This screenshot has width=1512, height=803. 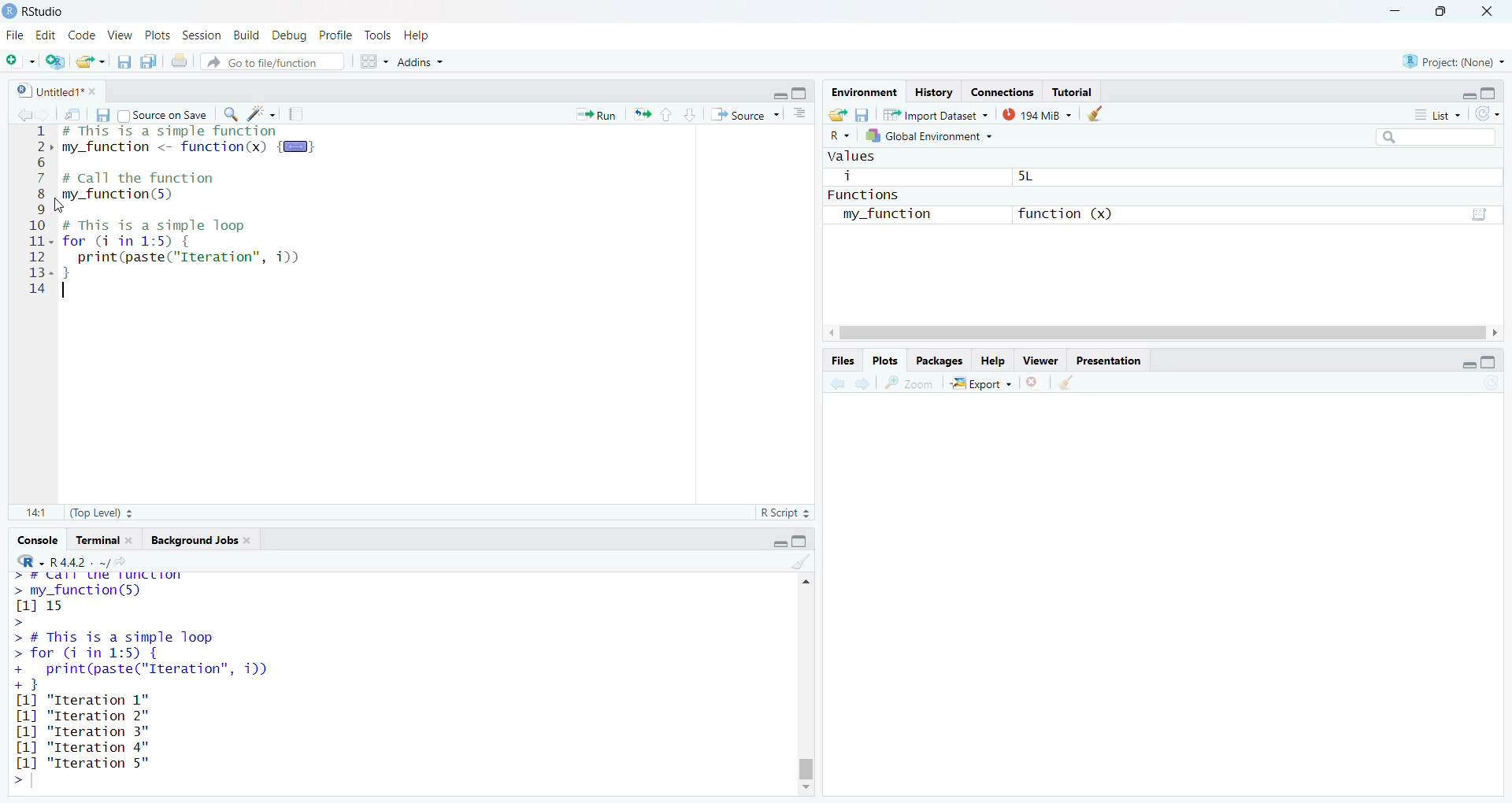 What do you see at coordinates (833, 385) in the screenshot?
I see `previous plot` at bounding box center [833, 385].